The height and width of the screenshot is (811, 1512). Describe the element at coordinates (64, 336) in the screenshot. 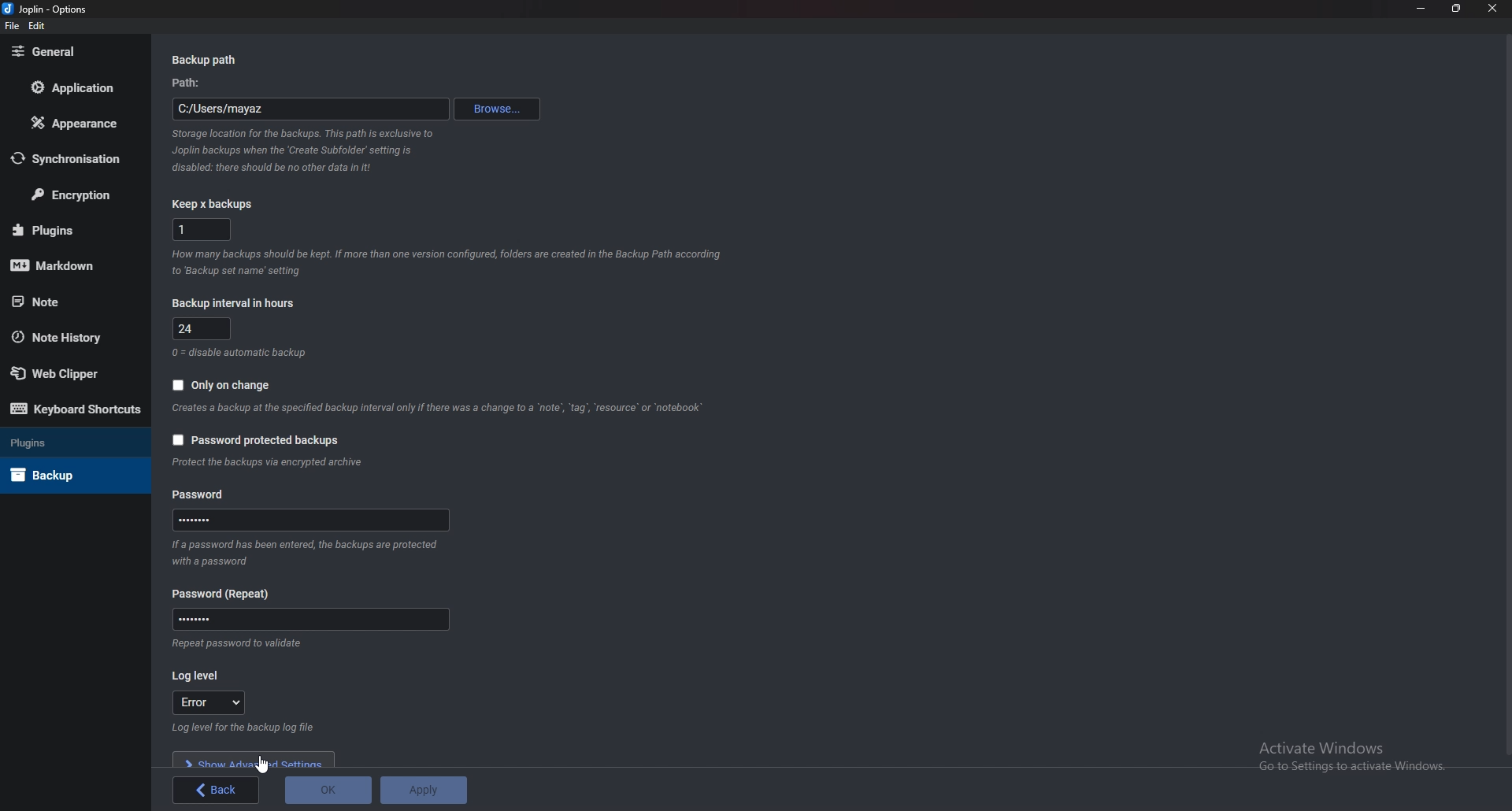

I see `Note history` at that location.